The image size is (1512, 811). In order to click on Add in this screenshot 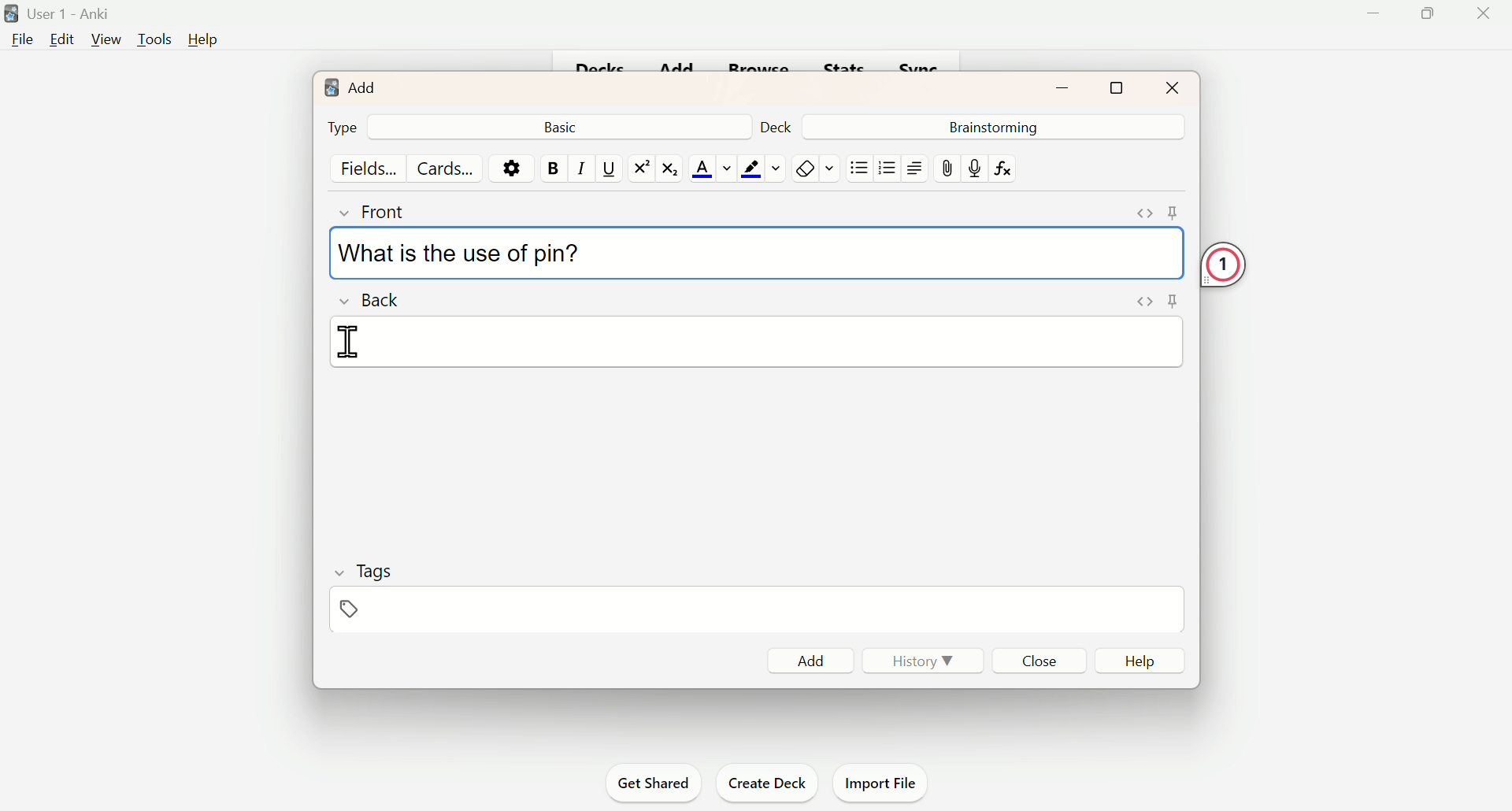, I will do `click(352, 86)`.